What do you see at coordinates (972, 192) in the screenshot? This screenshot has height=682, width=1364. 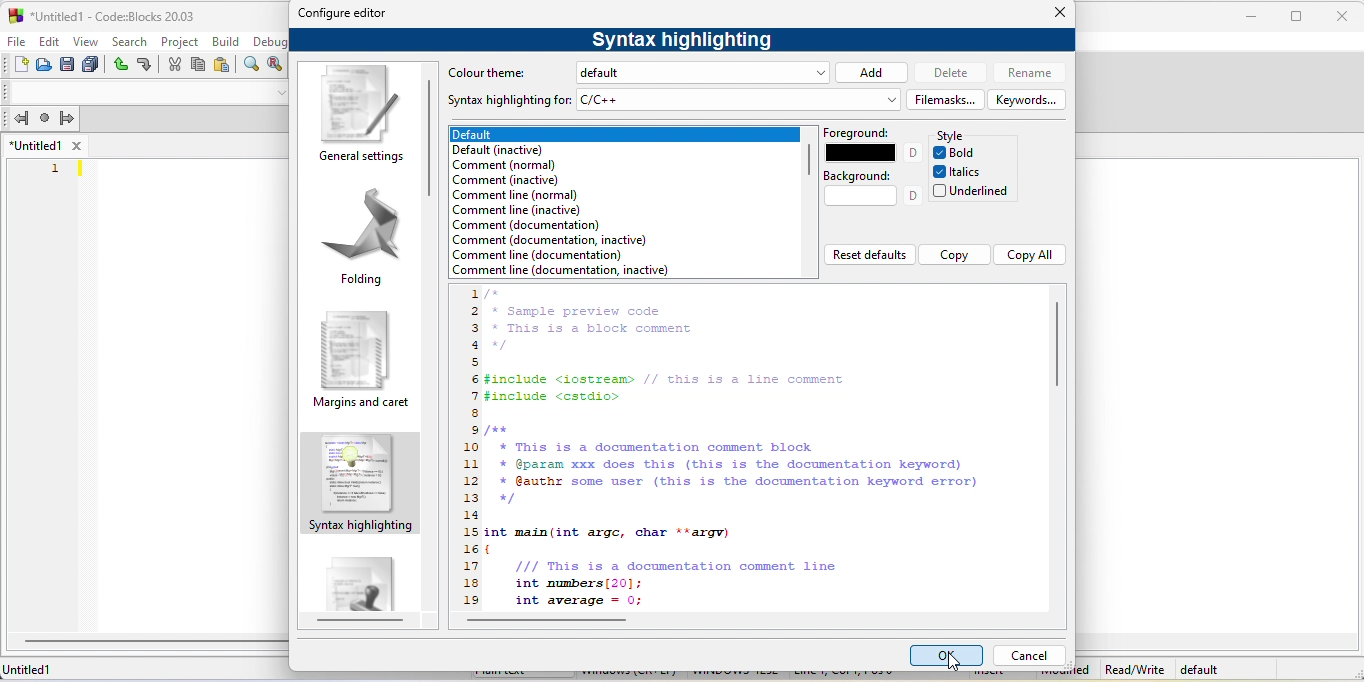 I see `underline` at bounding box center [972, 192].